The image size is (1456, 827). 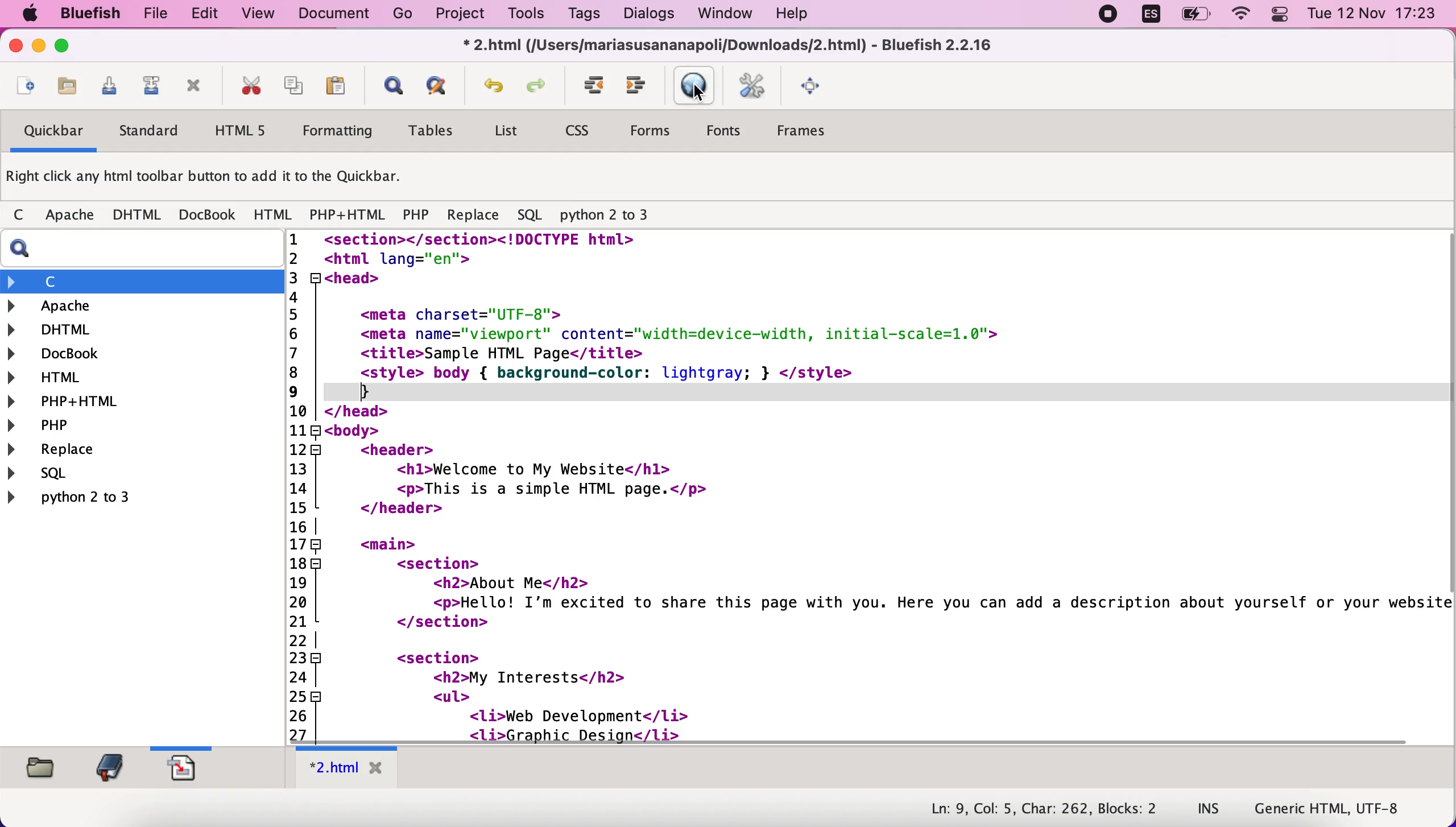 What do you see at coordinates (344, 130) in the screenshot?
I see `formatting` at bounding box center [344, 130].